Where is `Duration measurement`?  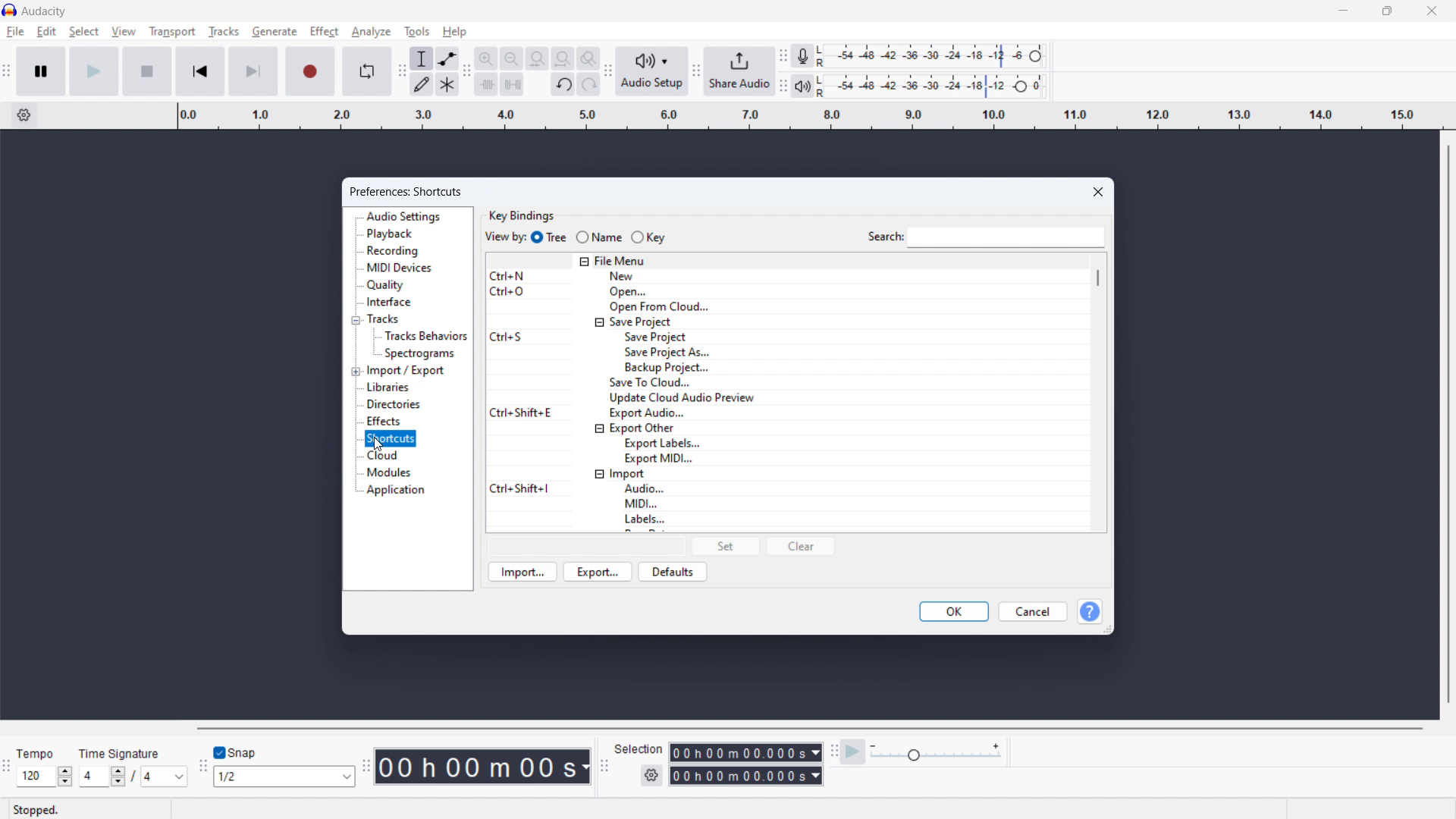 Duration measurement is located at coordinates (815, 776).